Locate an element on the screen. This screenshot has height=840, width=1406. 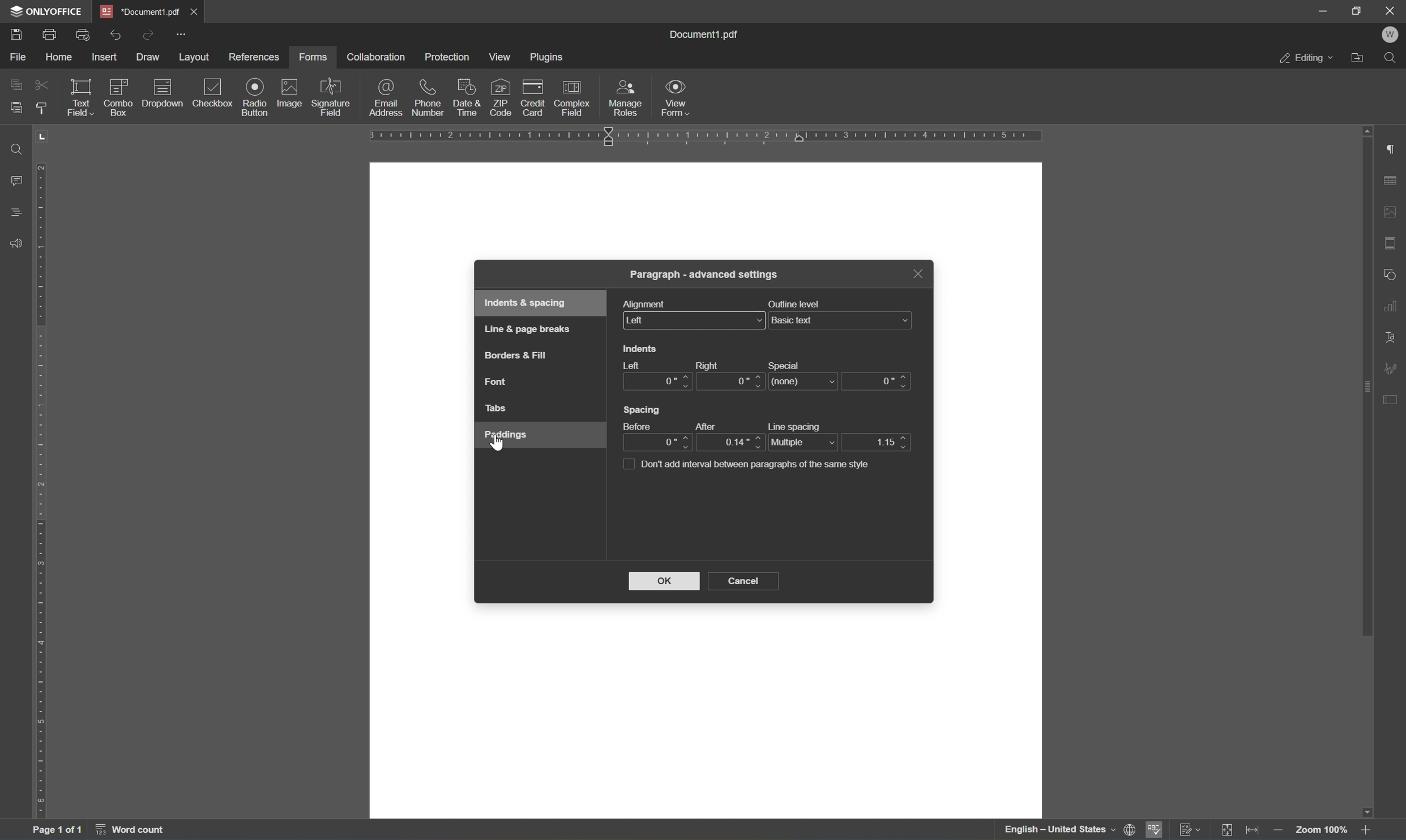
view form is located at coordinates (682, 99).